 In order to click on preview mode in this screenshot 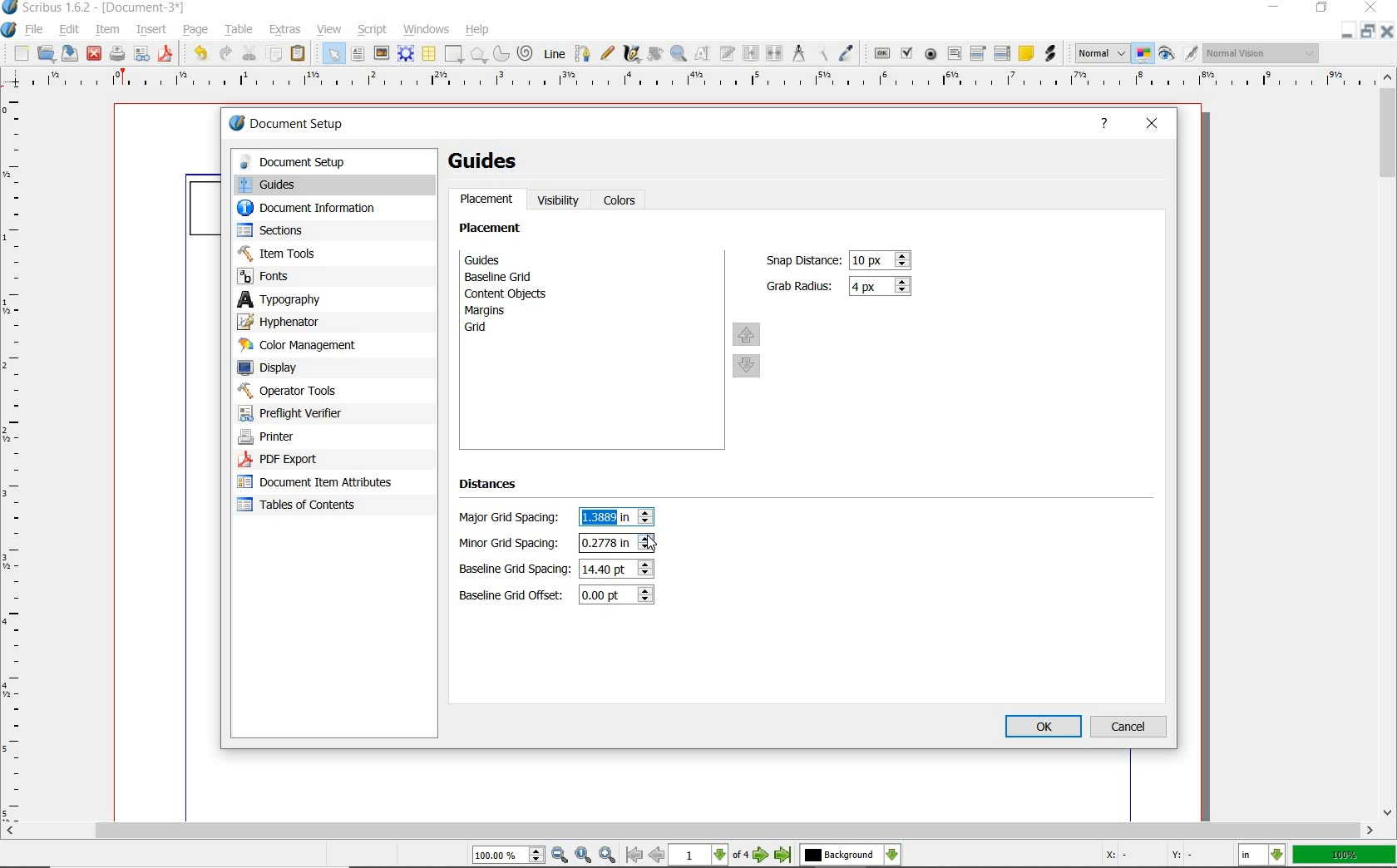, I will do `click(1178, 52)`.